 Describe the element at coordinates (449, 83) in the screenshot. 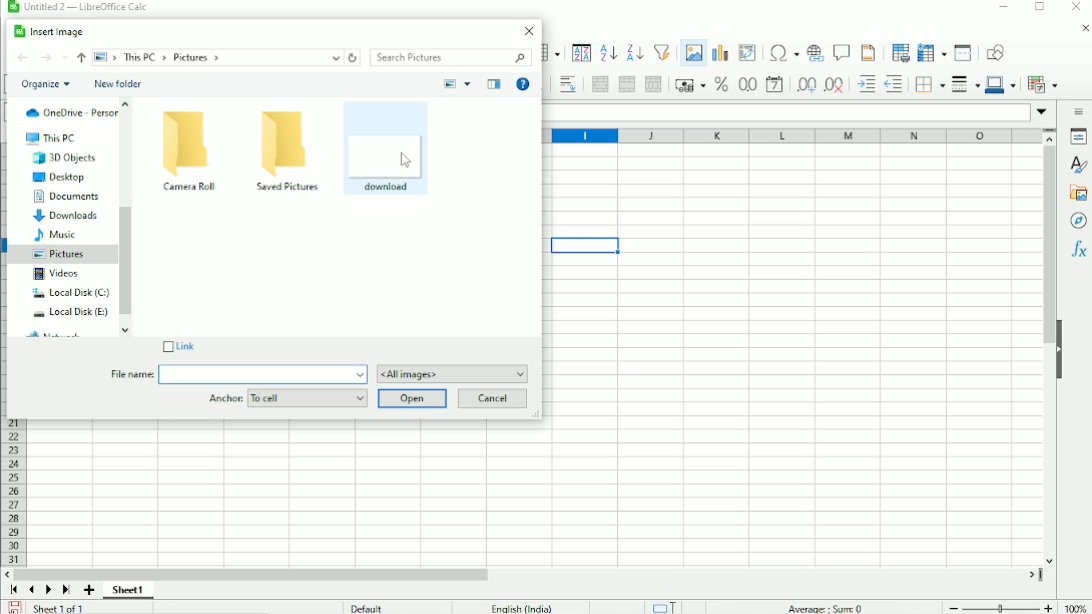

I see `Change your view` at that location.